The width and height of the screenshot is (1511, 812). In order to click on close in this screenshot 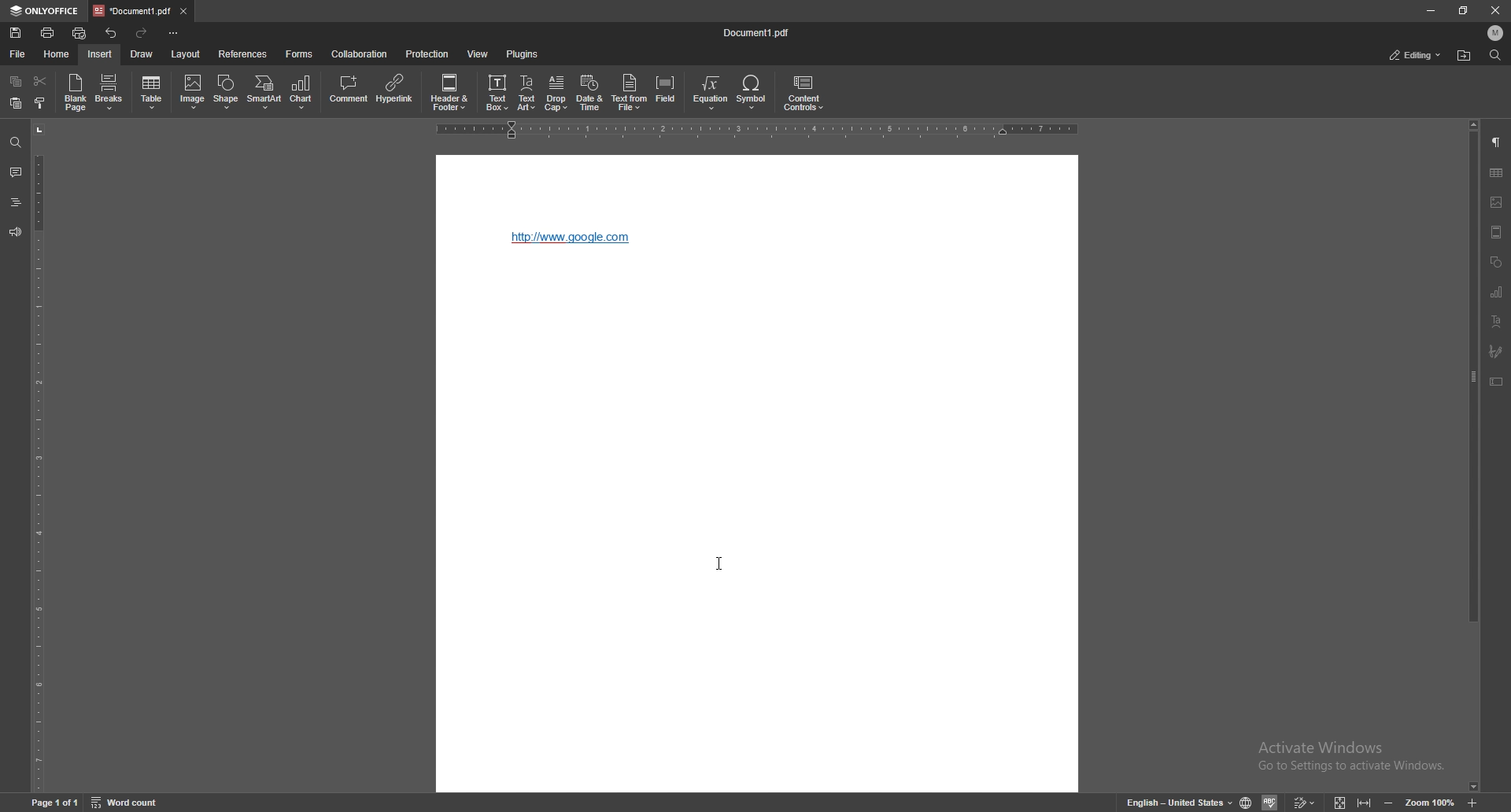, I will do `click(1494, 10)`.